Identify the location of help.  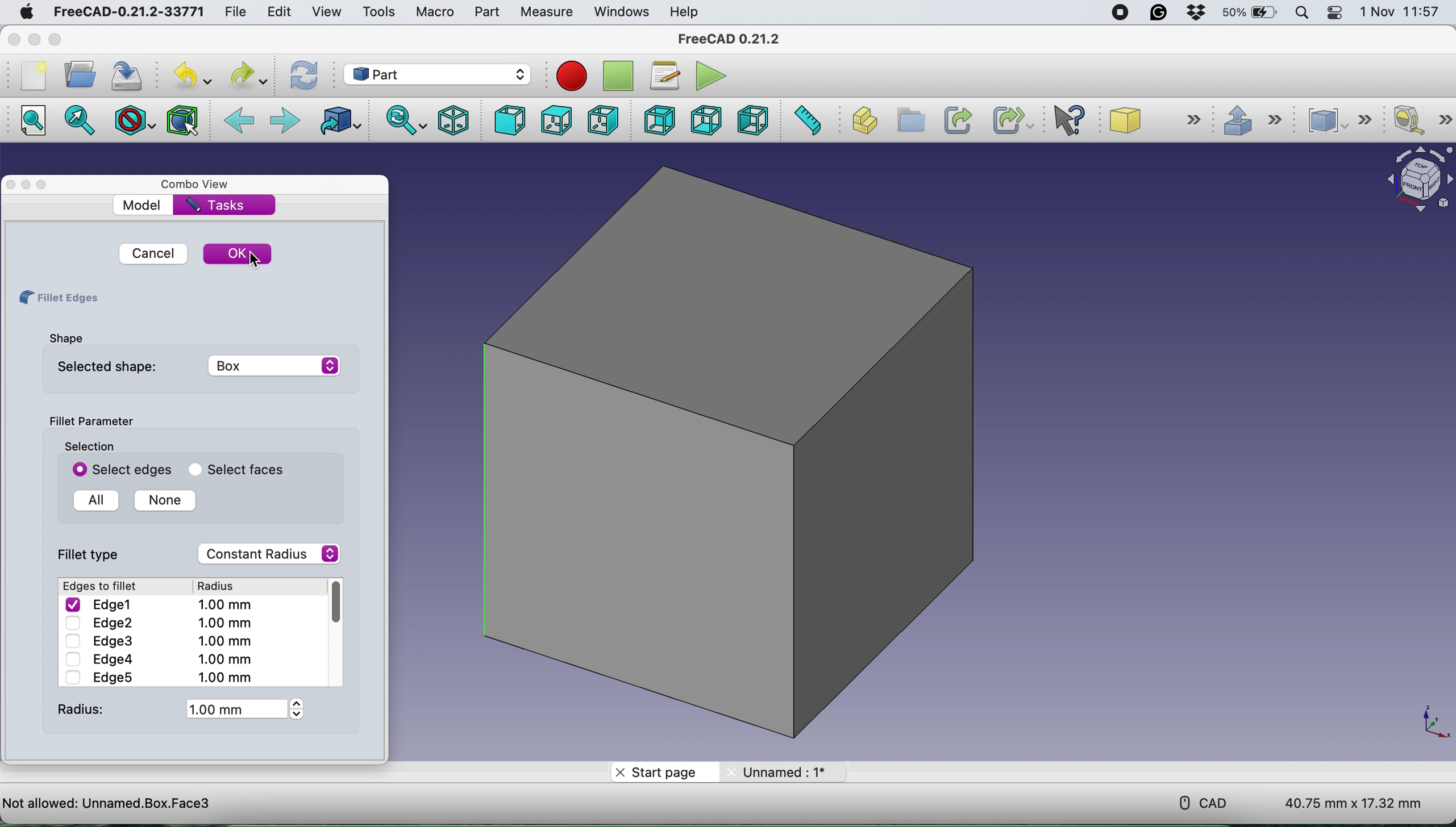
(687, 12).